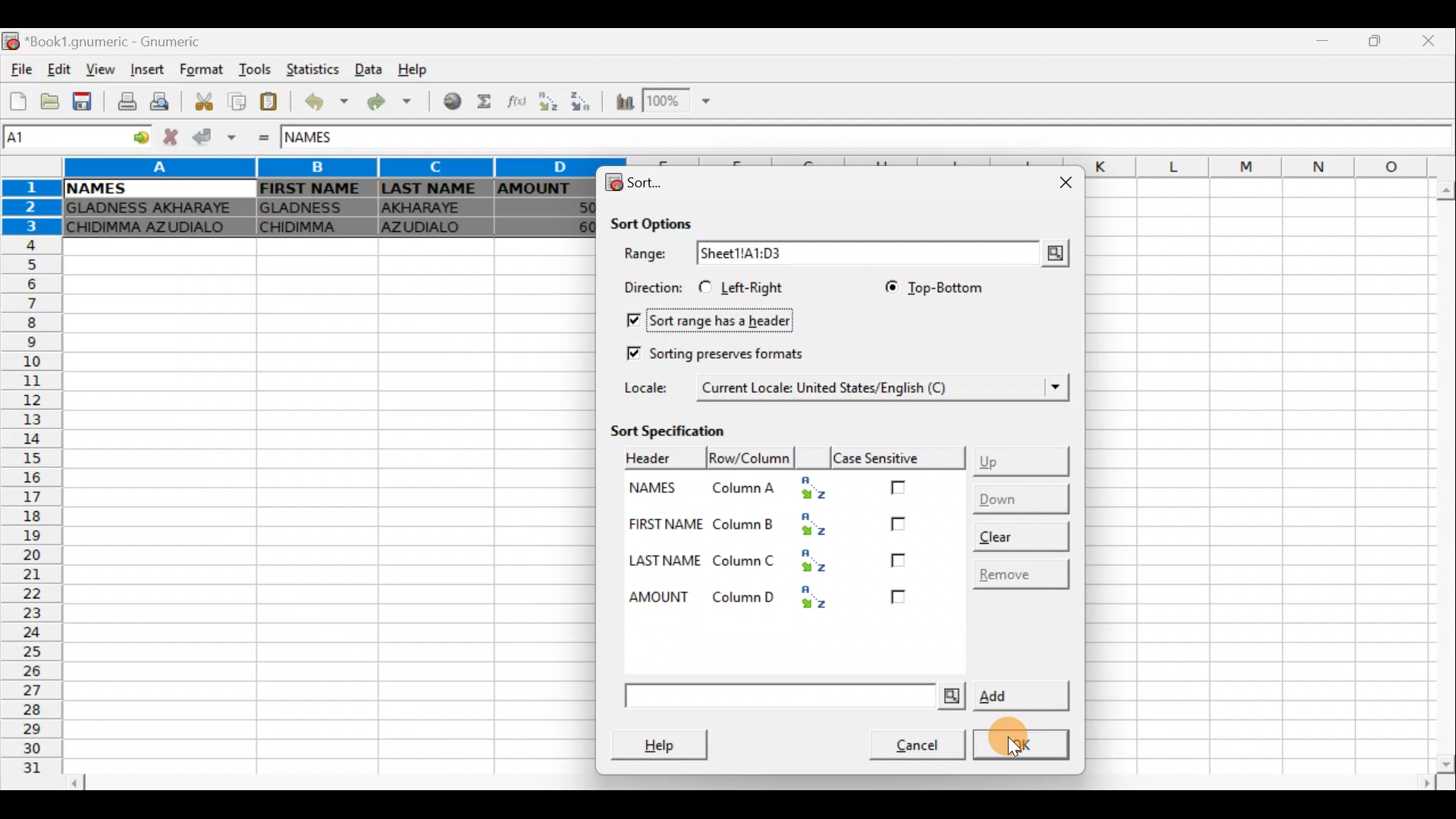 The height and width of the screenshot is (819, 1456). What do you see at coordinates (783, 527) in the screenshot?
I see `Column B` at bounding box center [783, 527].